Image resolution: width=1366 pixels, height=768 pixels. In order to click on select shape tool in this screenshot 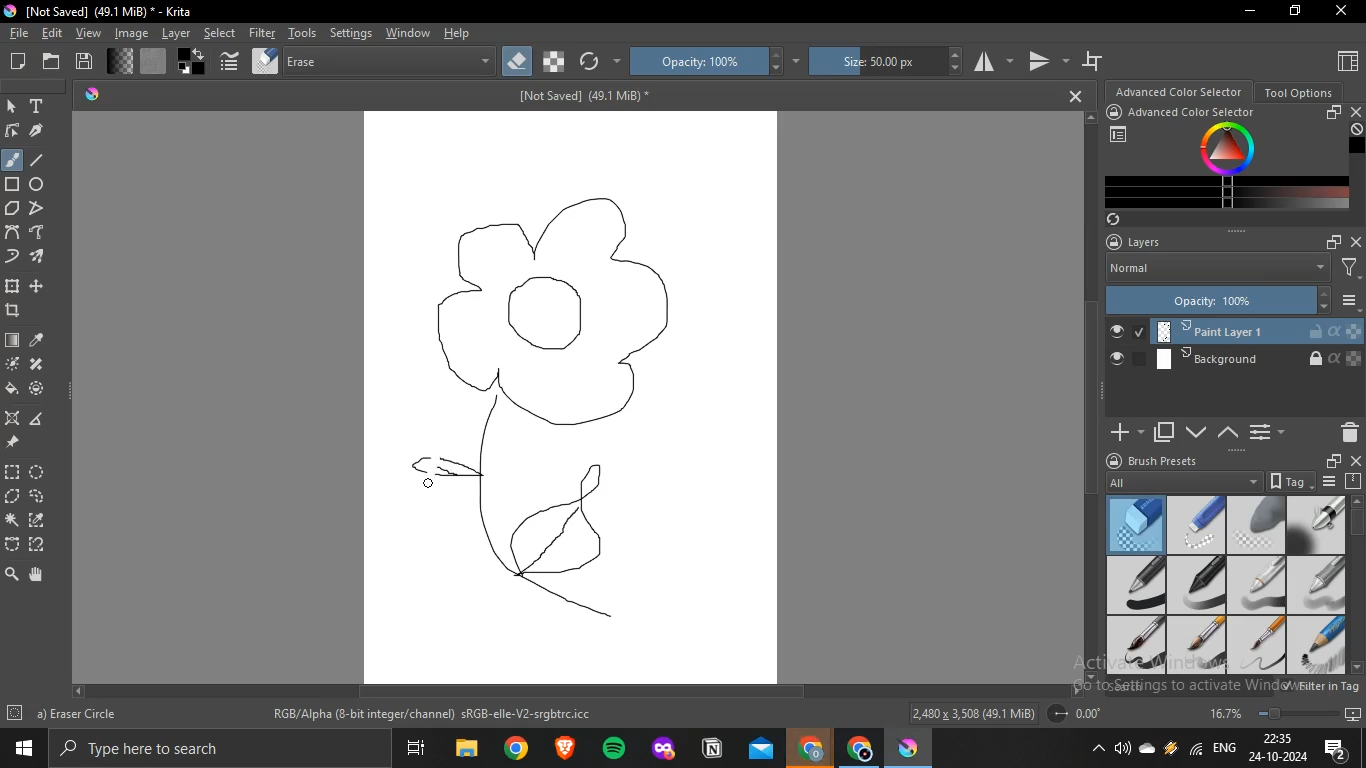, I will do `click(13, 105)`.